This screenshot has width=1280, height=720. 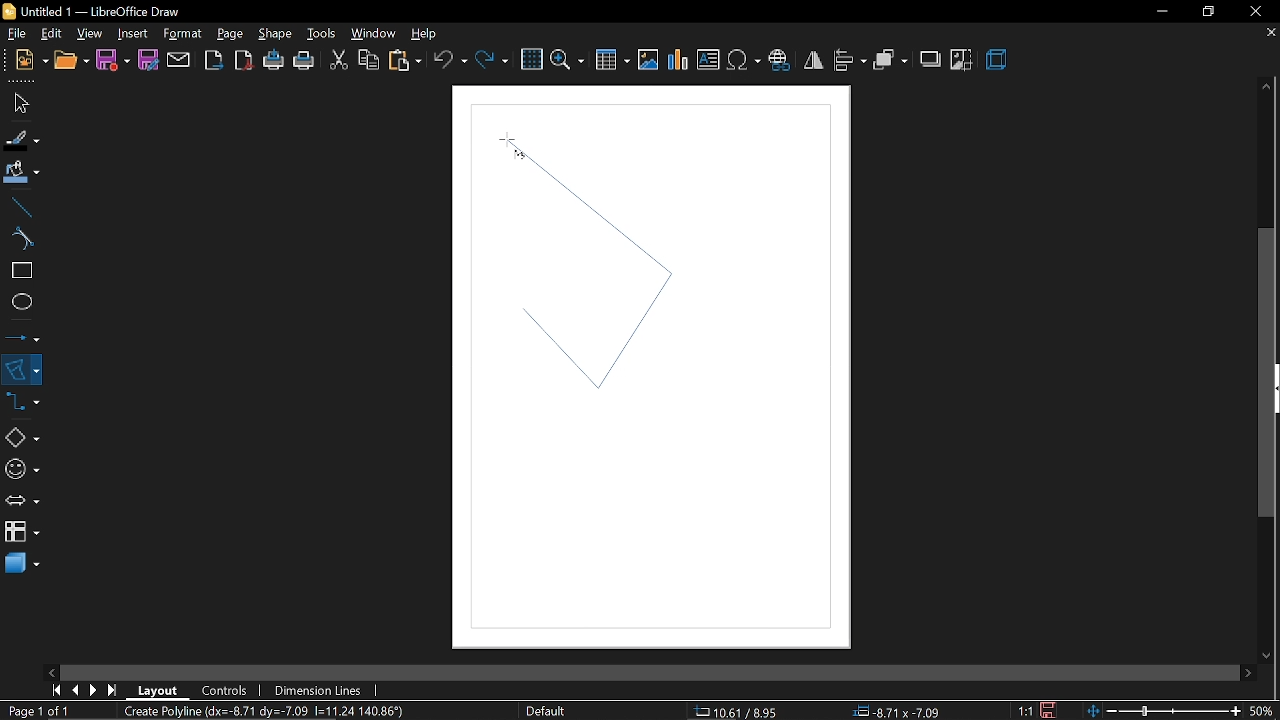 I want to click on change zoom, so click(x=1163, y=709).